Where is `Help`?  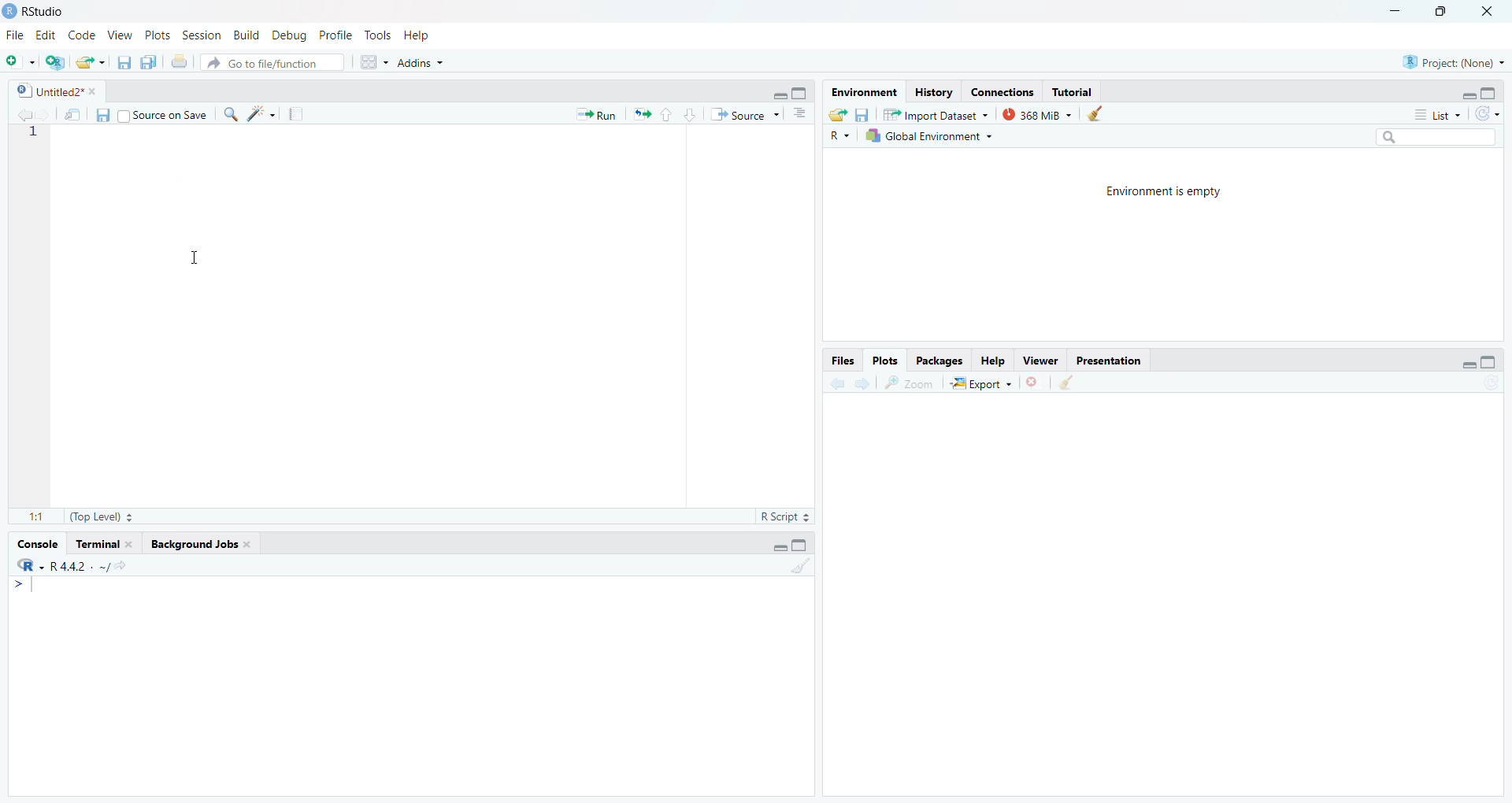
Help is located at coordinates (423, 35).